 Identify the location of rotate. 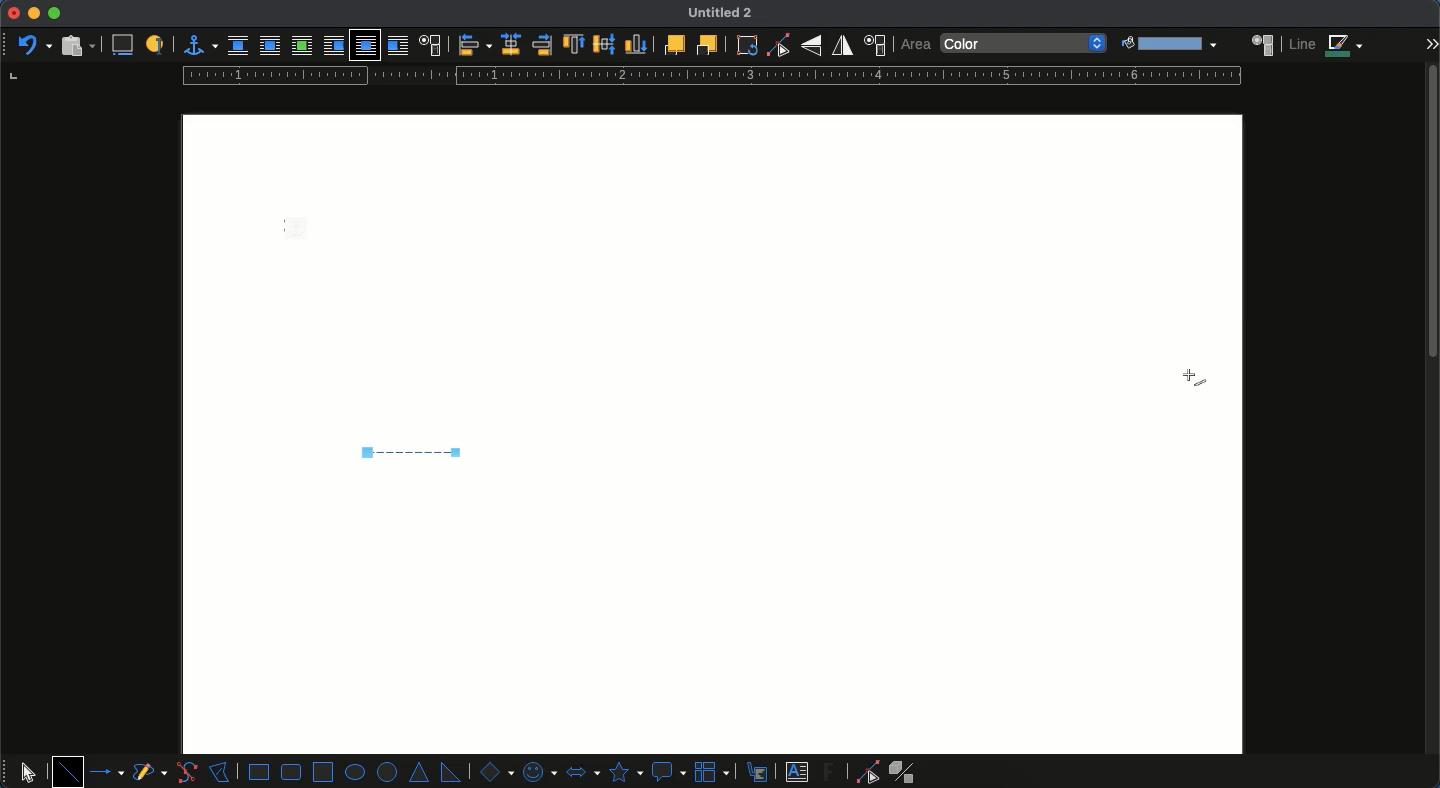
(747, 45).